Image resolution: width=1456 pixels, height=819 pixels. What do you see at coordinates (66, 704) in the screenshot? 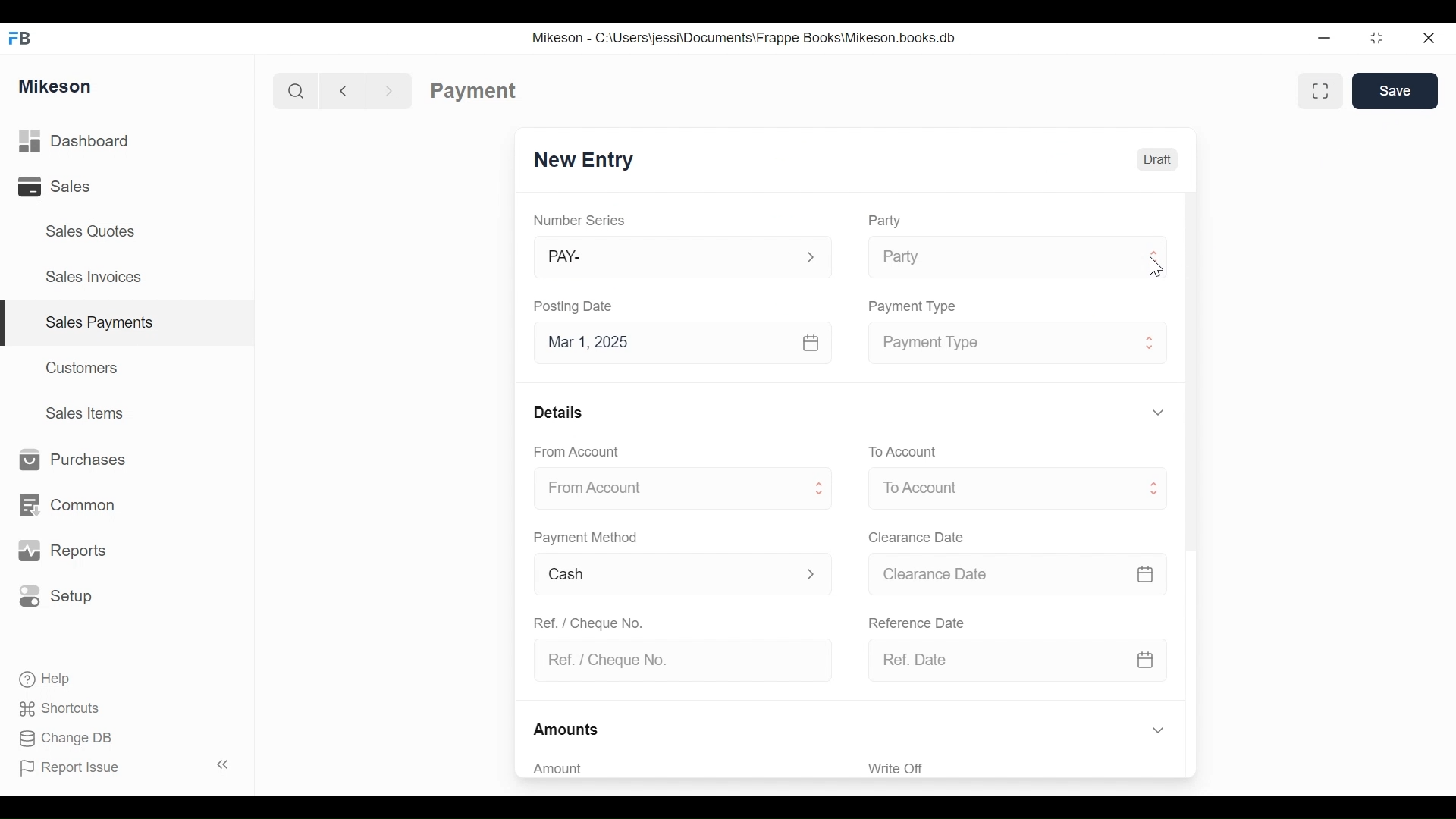
I see `Shortcuts` at bounding box center [66, 704].